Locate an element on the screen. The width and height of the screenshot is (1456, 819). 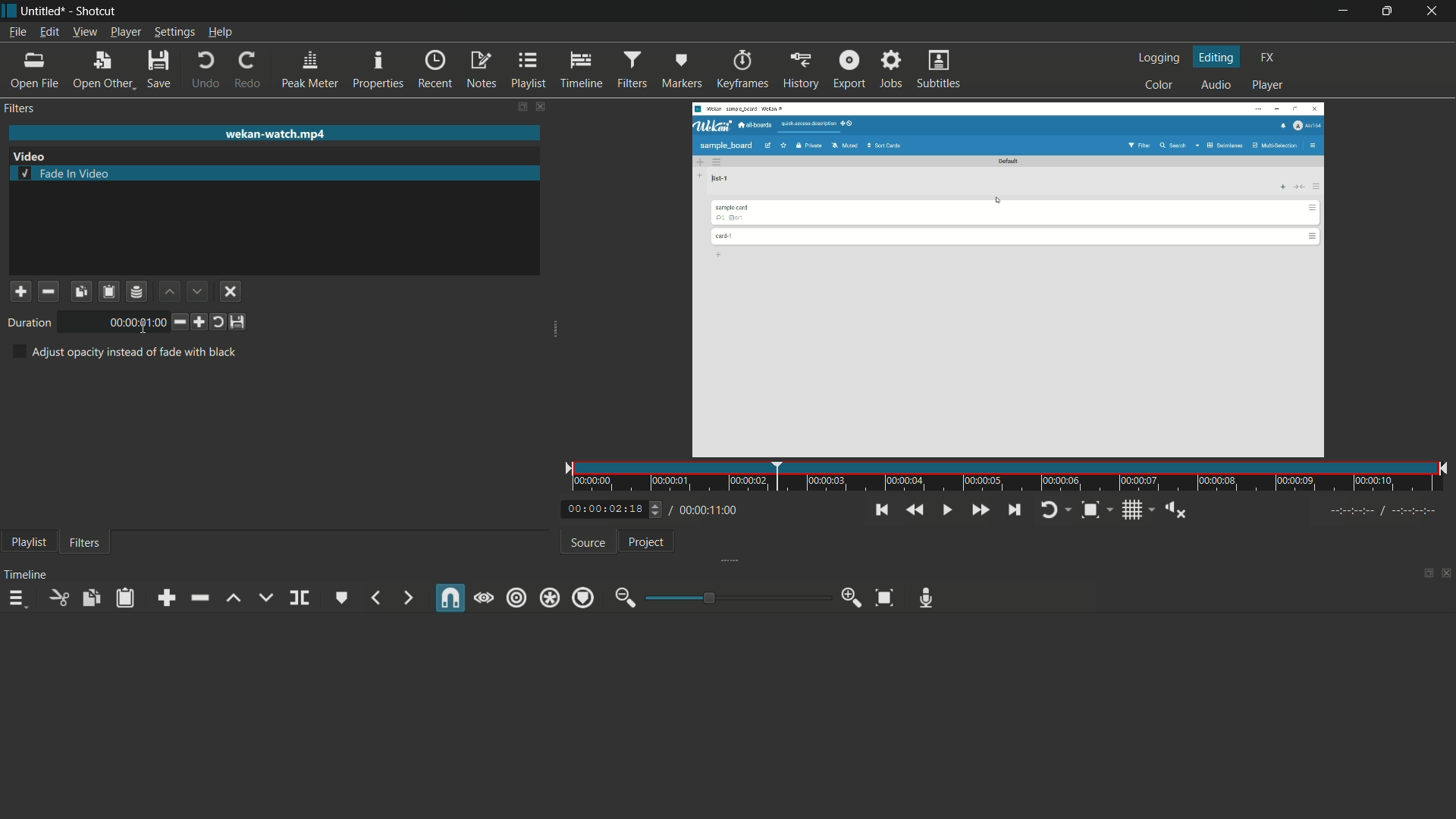
close filter is located at coordinates (541, 108).